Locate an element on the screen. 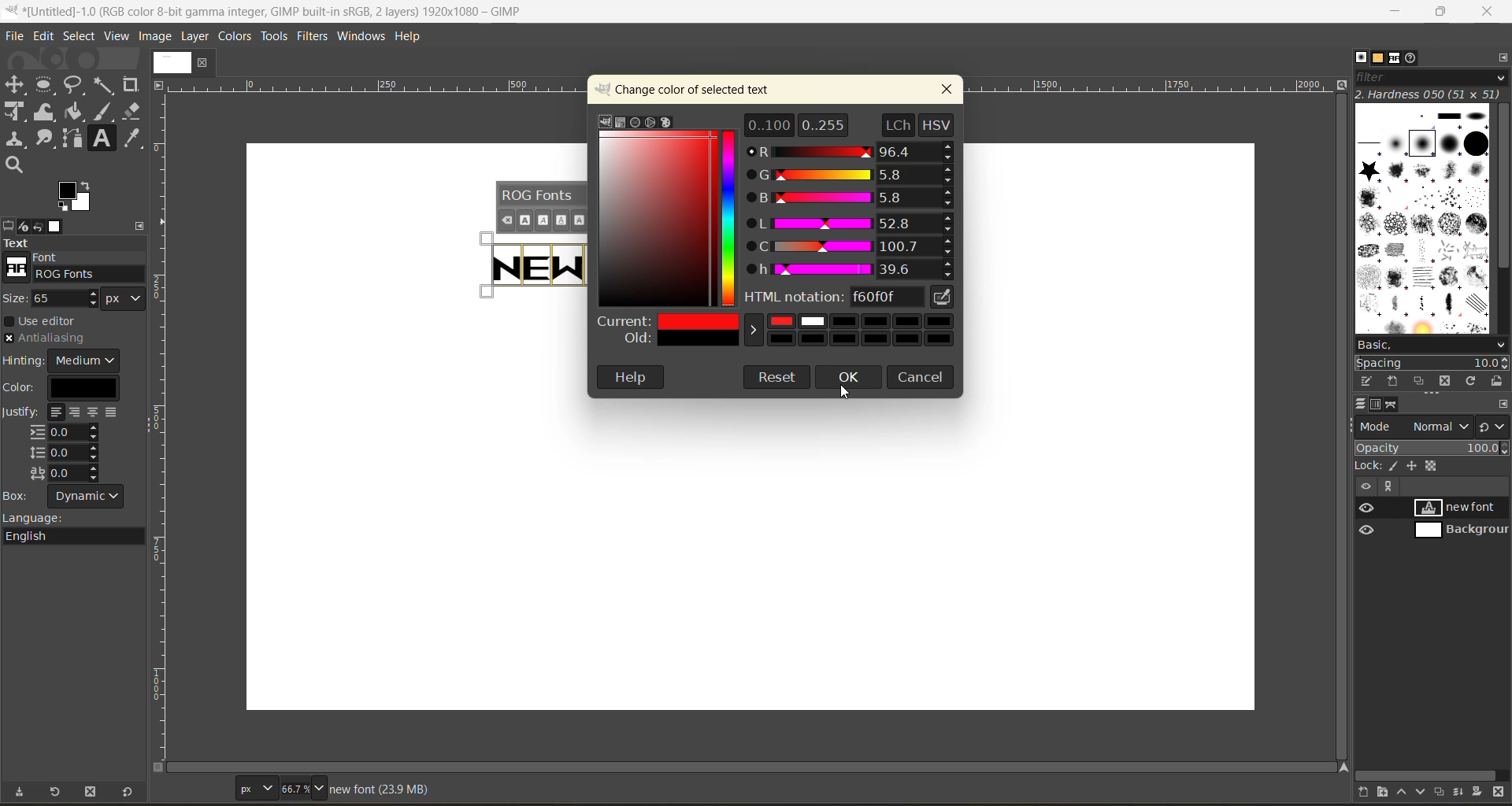 The width and height of the screenshot is (1512, 806). images is located at coordinates (57, 226).